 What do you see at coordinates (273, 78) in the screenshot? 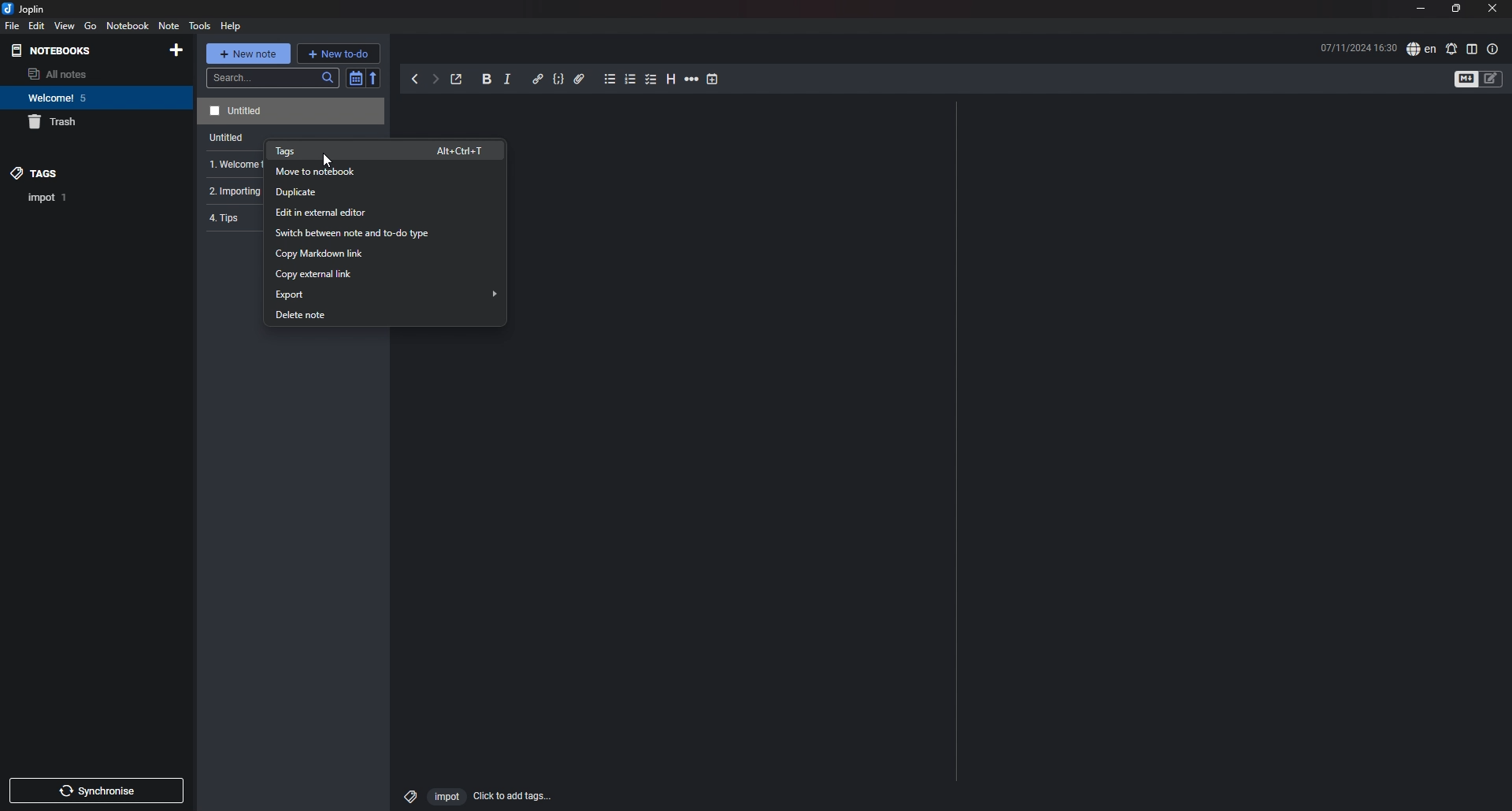
I see `search` at bounding box center [273, 78].